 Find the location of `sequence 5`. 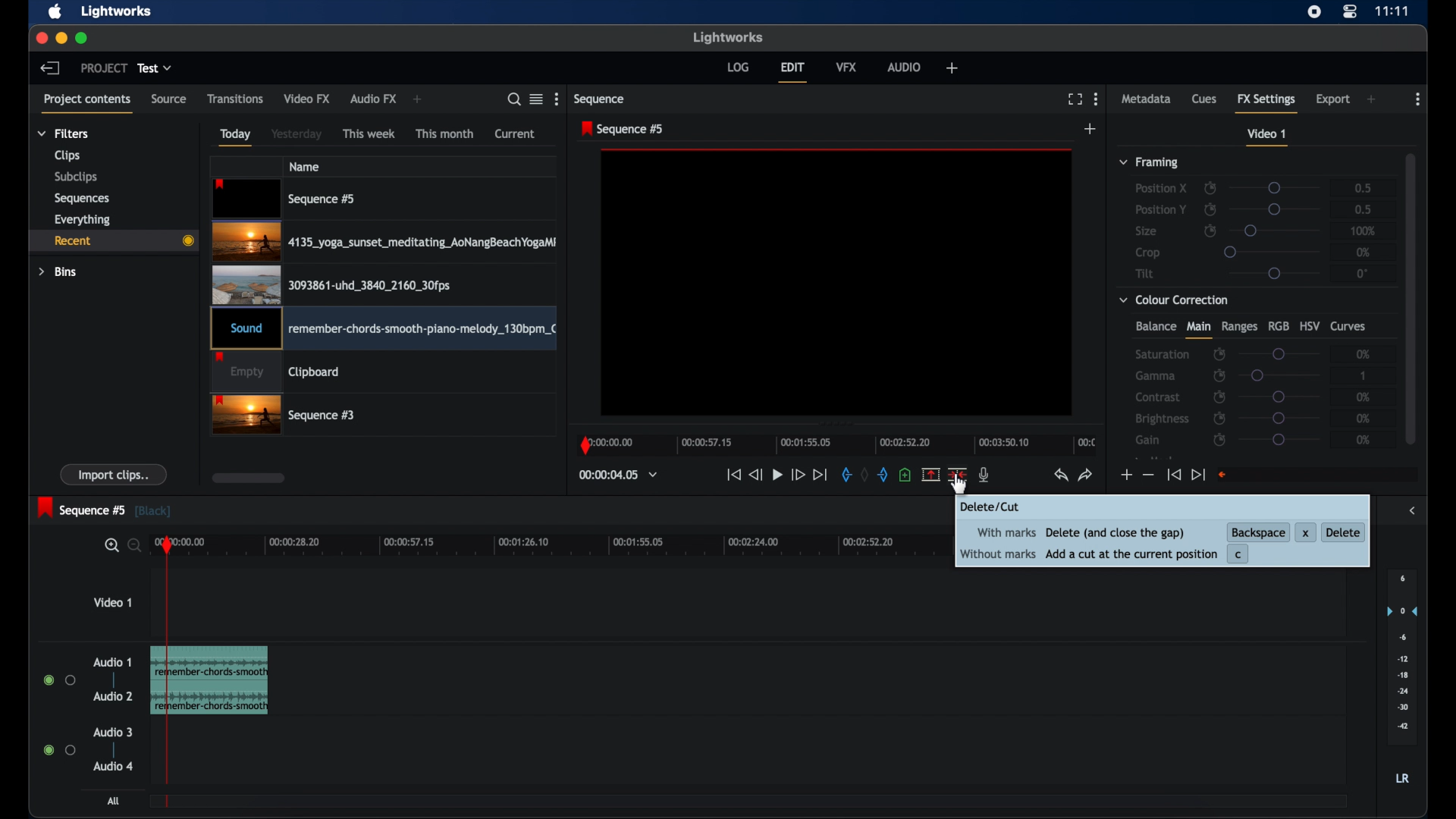

sequence 5 is located at coordinates (624, 129).